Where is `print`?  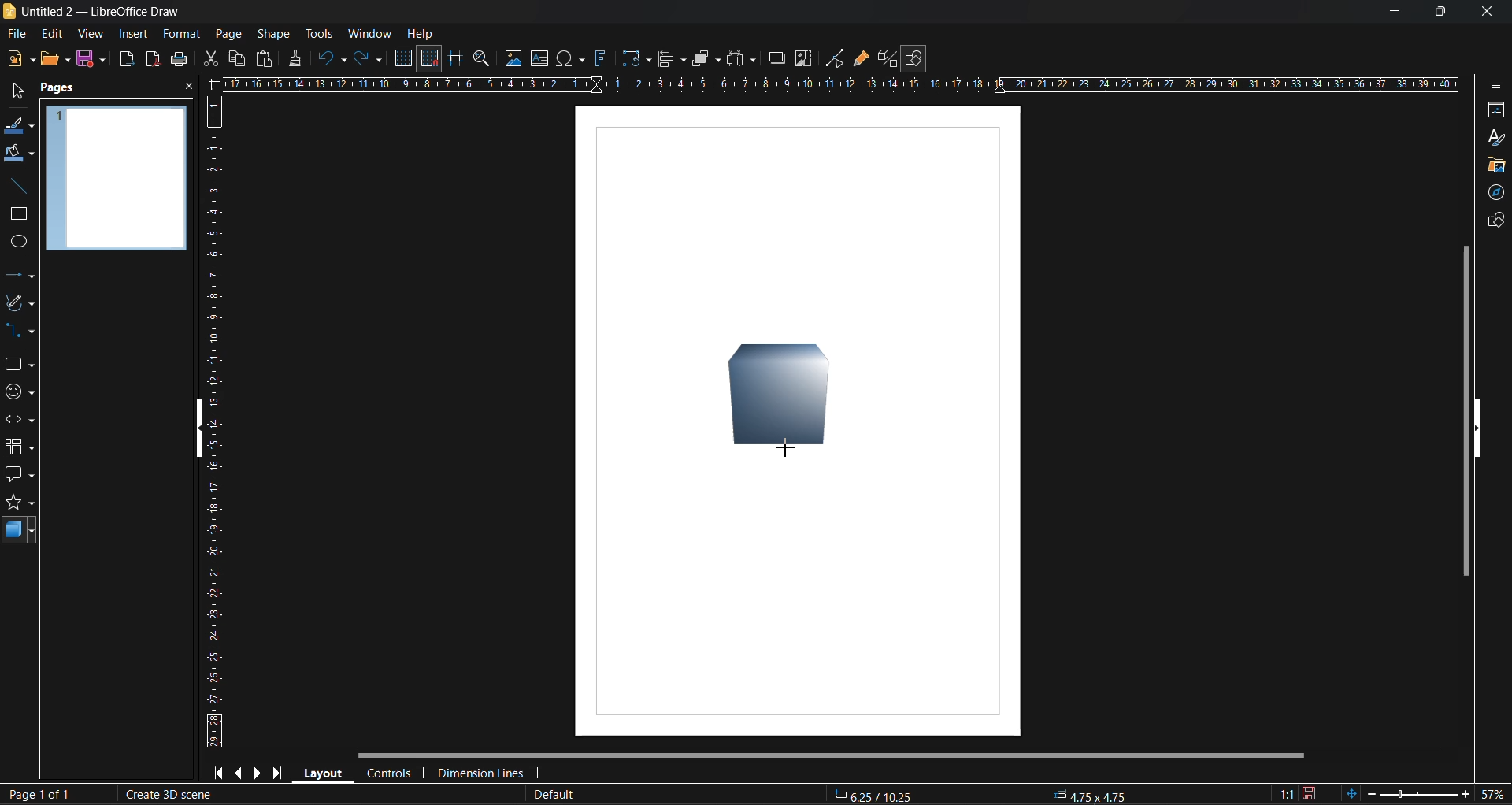
print is located at coordinates (179, 61).